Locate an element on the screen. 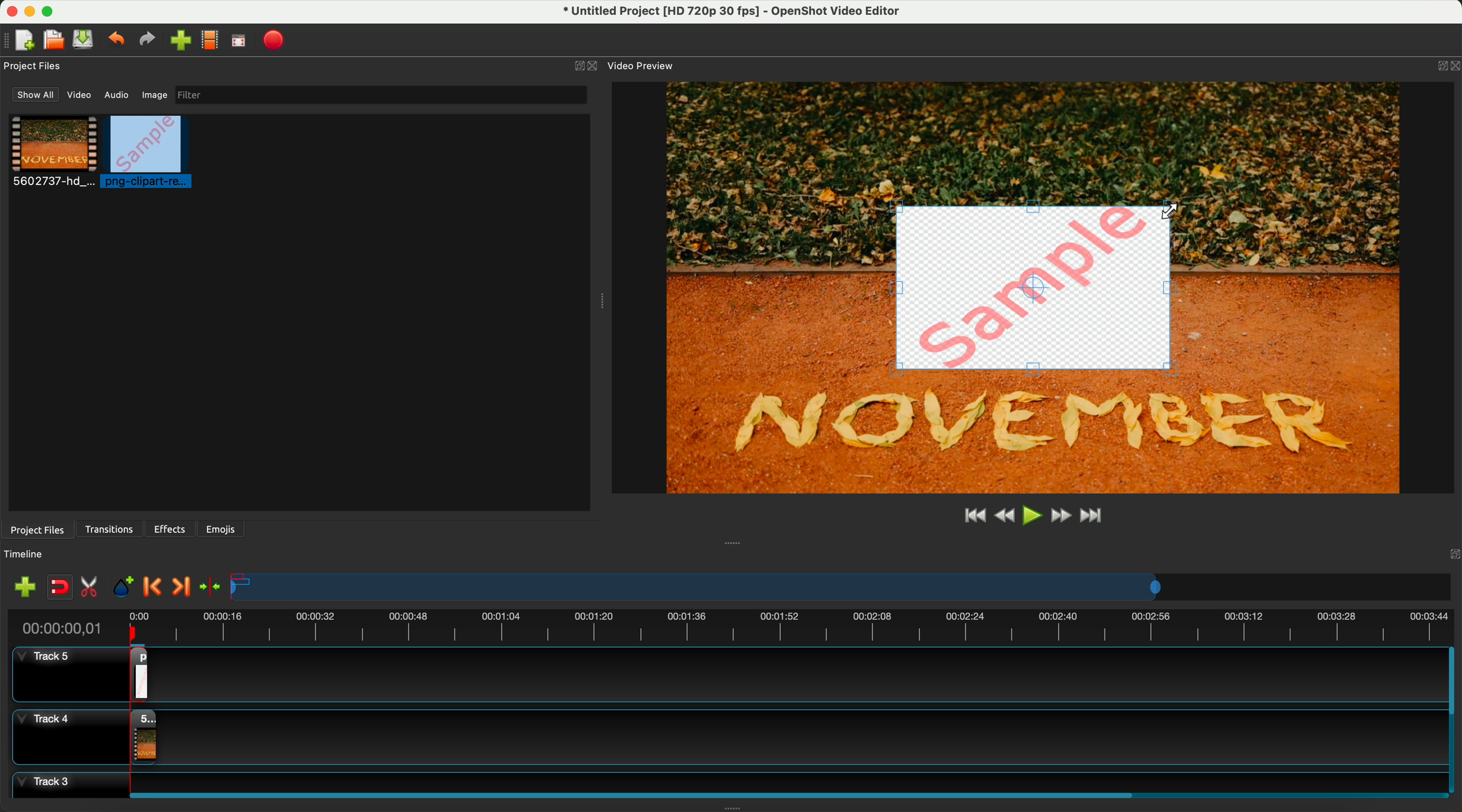 This screenshot has height=812, width=1462. close program is located at coordinates (9, 10).